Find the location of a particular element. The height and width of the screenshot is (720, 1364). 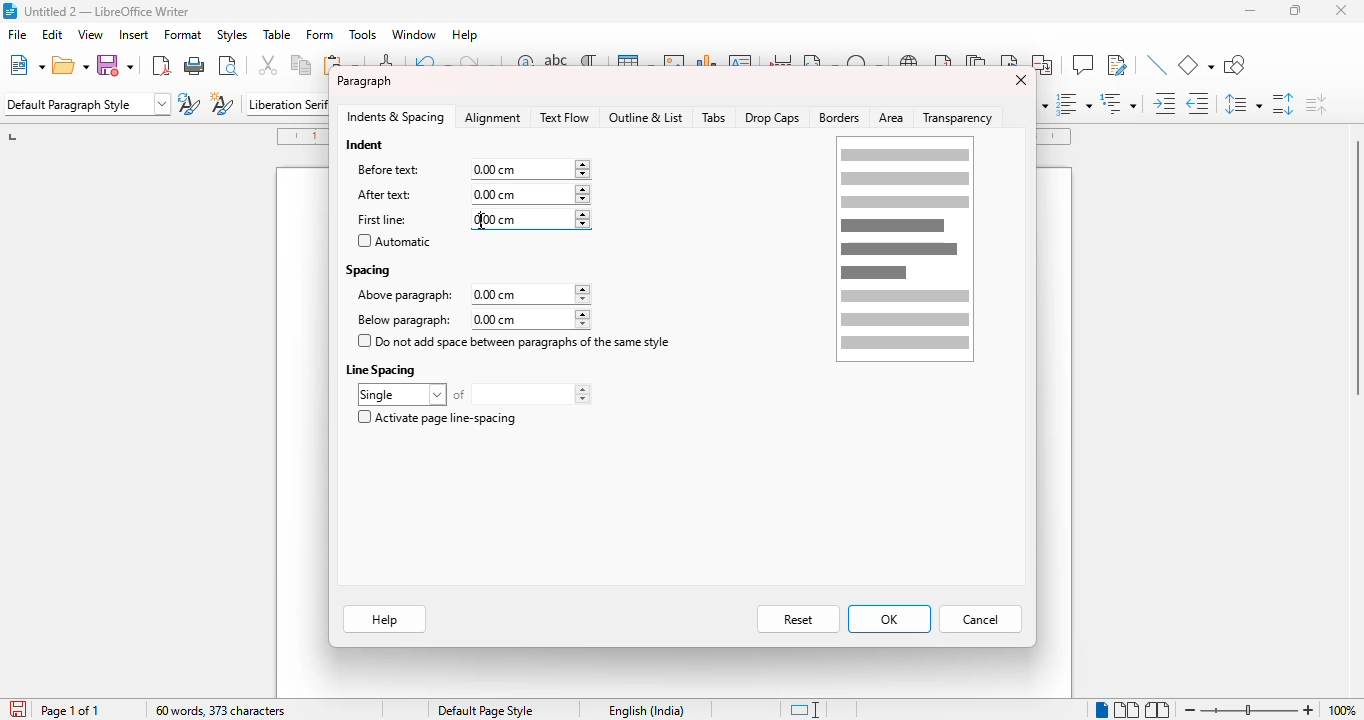

zoom out is located at coordinates (1190, 710).